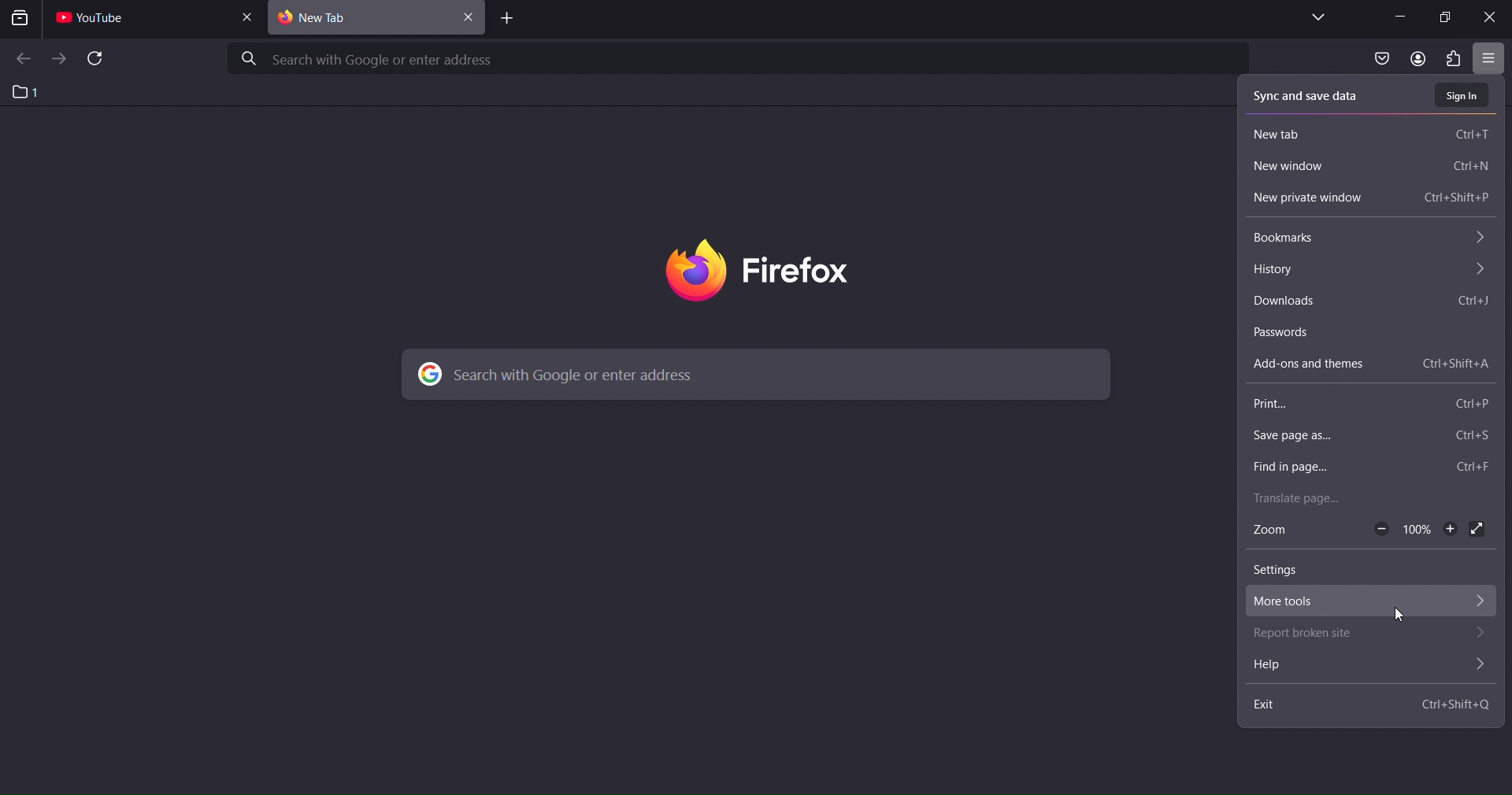 Image resolution: width=1512 pixels, height=795 pixels. What do you see at coordinates (1399, 16) in the screenshot?
I see `minimize` at bounding box center [1399, 16].